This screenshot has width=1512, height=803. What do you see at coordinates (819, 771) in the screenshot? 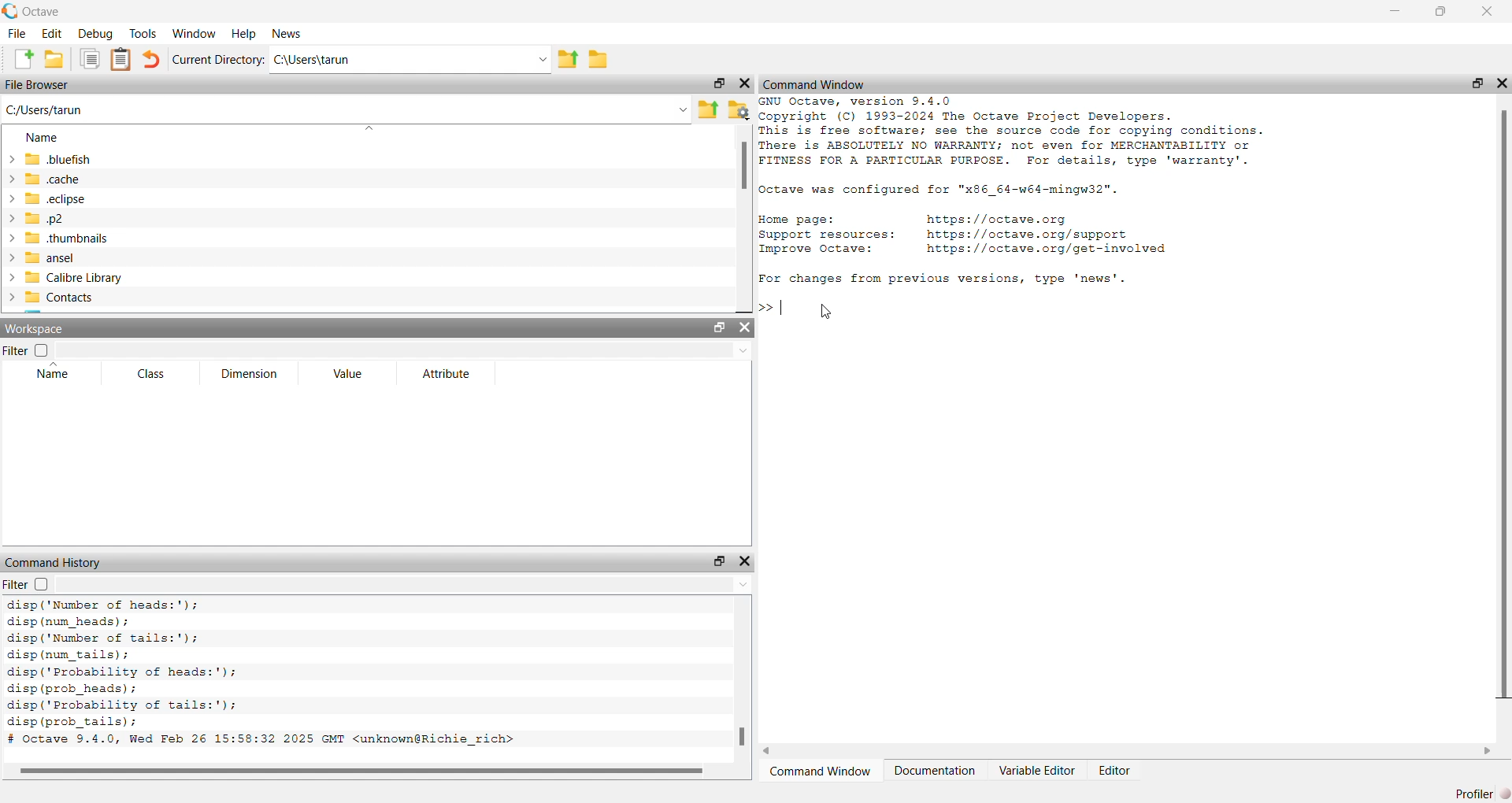
I see `Command Window` at bounding box center [819, 771].